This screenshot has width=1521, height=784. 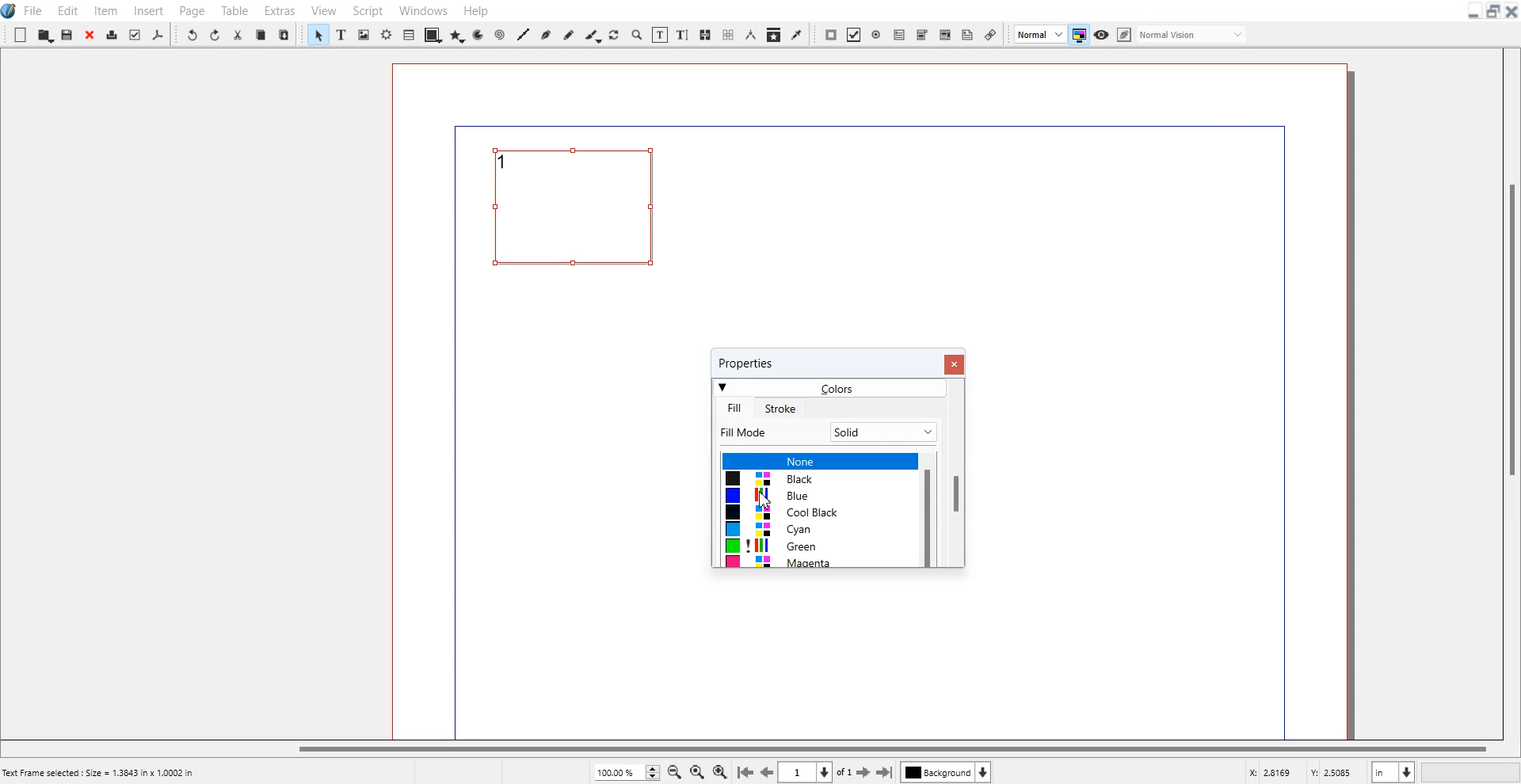 I want to click on Image Preview Quality, so click(x=1039, y=33).